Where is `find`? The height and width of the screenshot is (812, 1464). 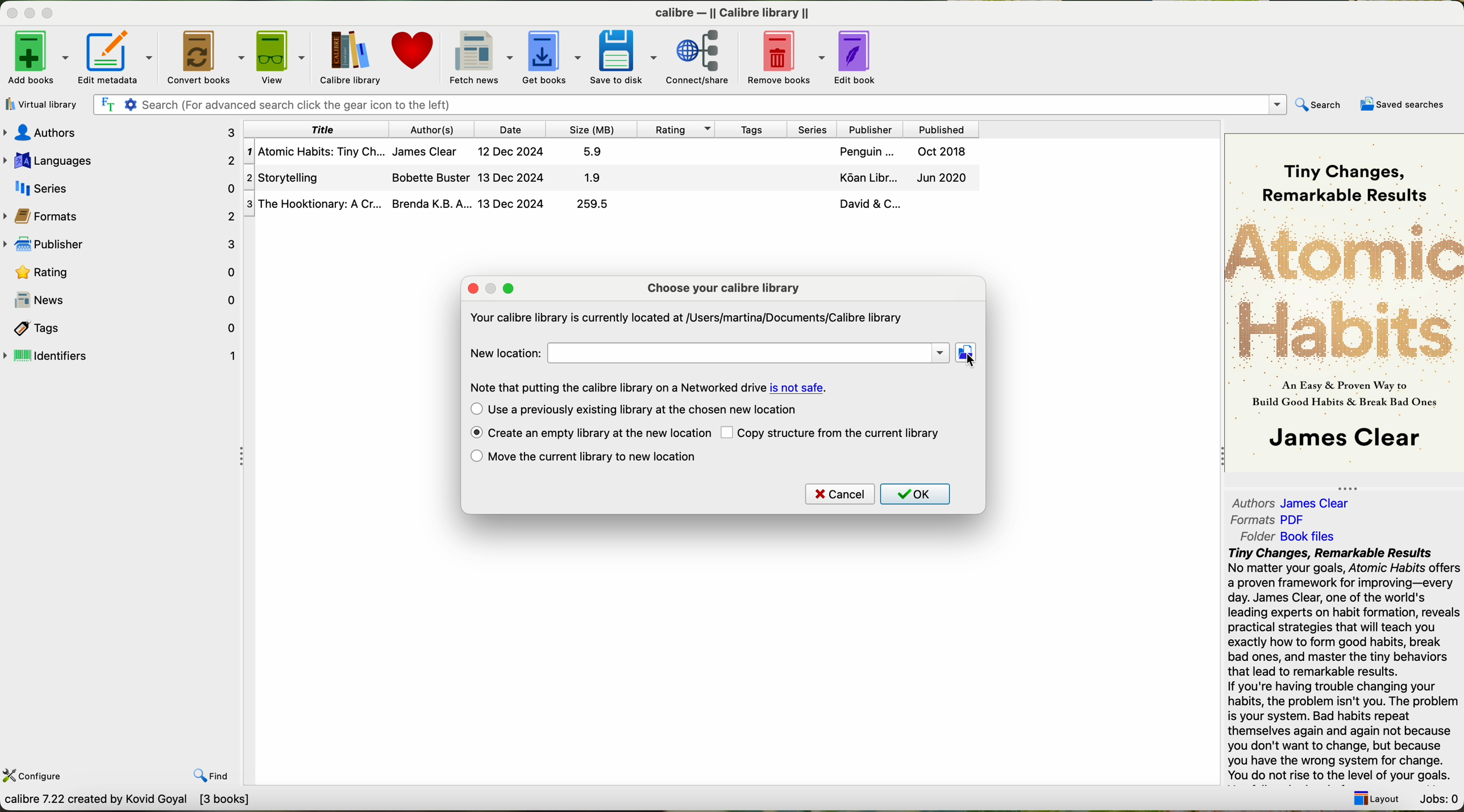
find is located at coordinates (202, 767).